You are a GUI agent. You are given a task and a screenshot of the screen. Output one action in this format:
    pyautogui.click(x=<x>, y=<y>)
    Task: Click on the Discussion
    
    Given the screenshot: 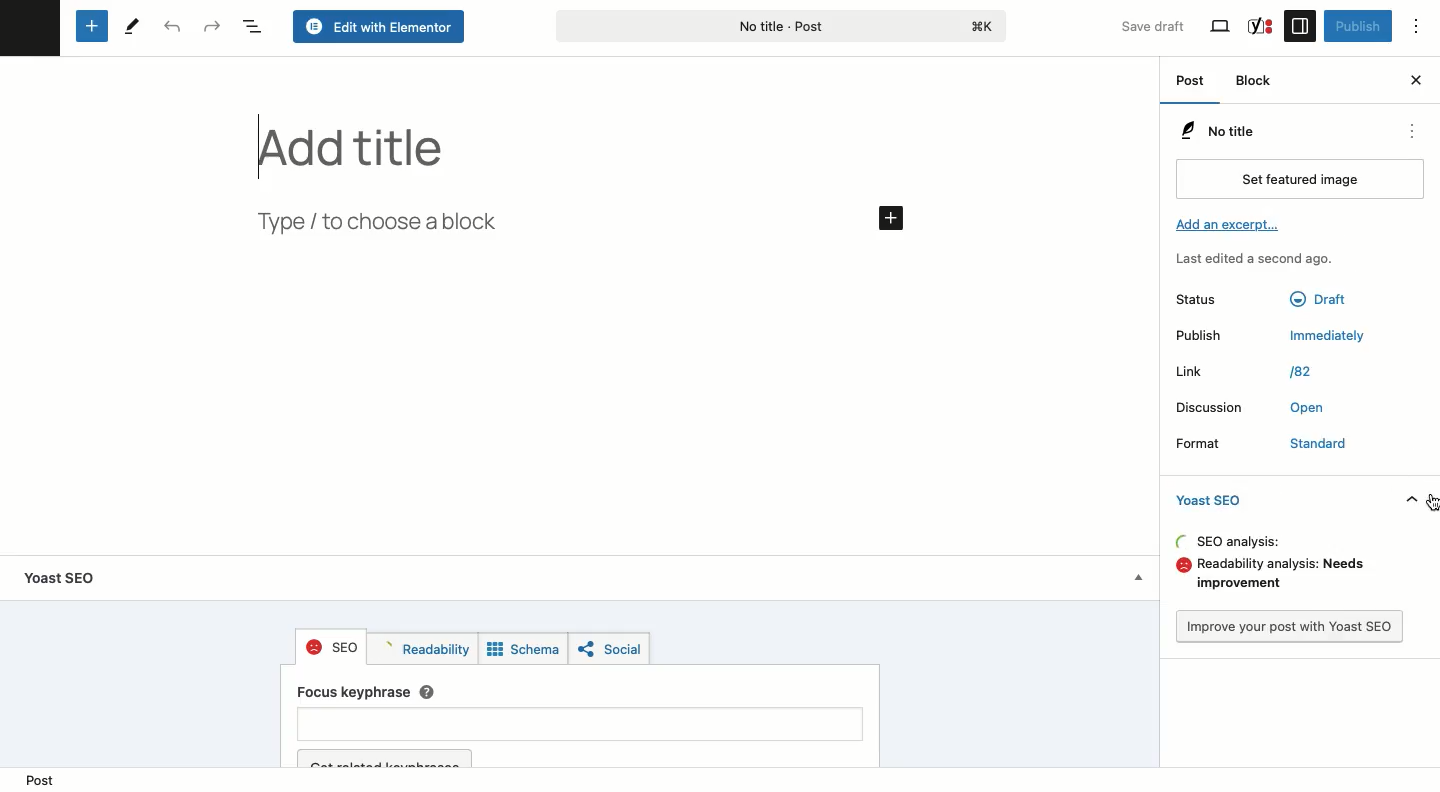 What is the action you would take?
    pyautogui.click(x=1210, y=405)
    